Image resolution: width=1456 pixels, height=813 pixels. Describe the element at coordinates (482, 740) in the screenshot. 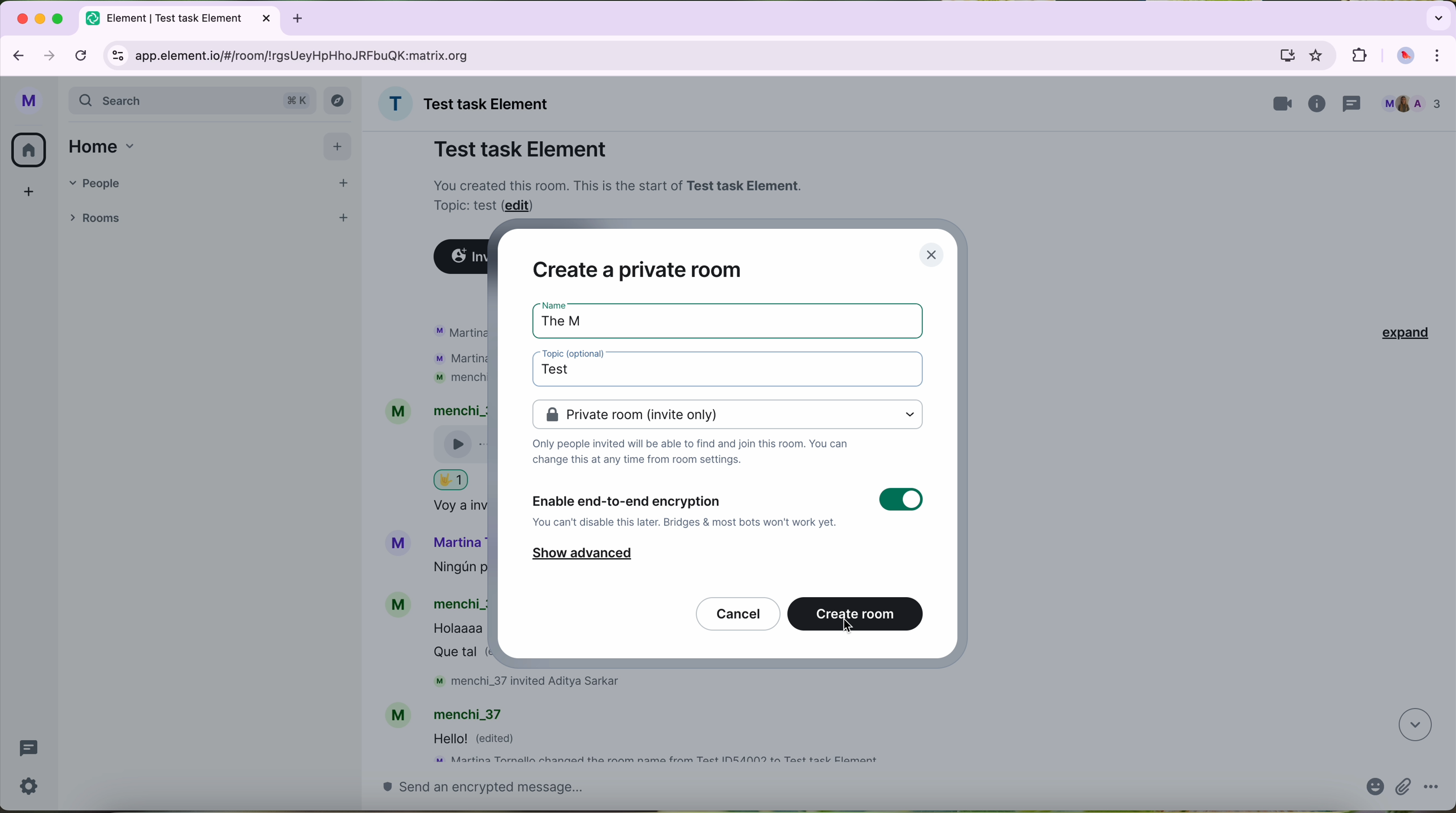

I see `message` at that location.